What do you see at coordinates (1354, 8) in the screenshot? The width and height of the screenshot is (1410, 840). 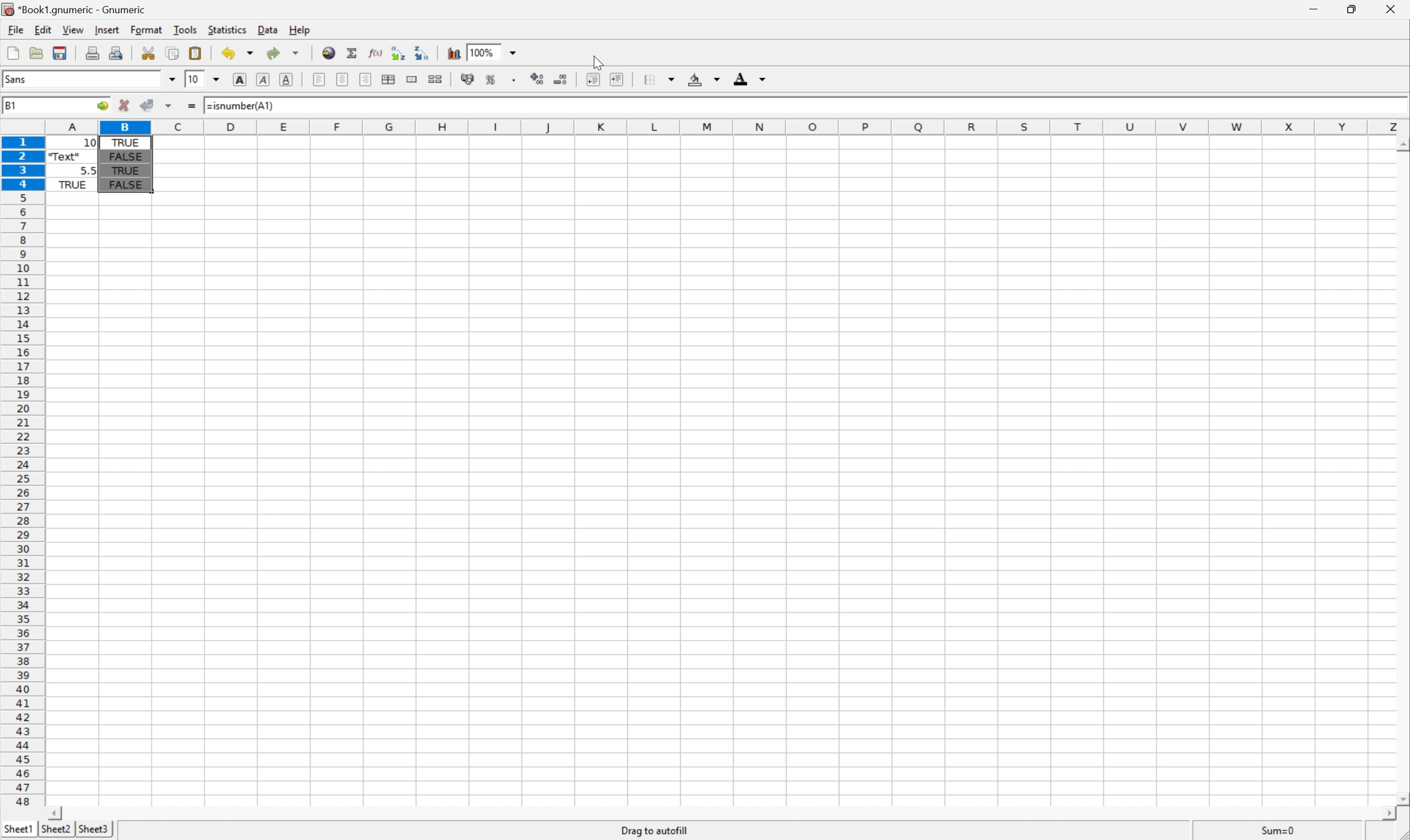 I see `Restore Down` at bounding box center [1354, 8].